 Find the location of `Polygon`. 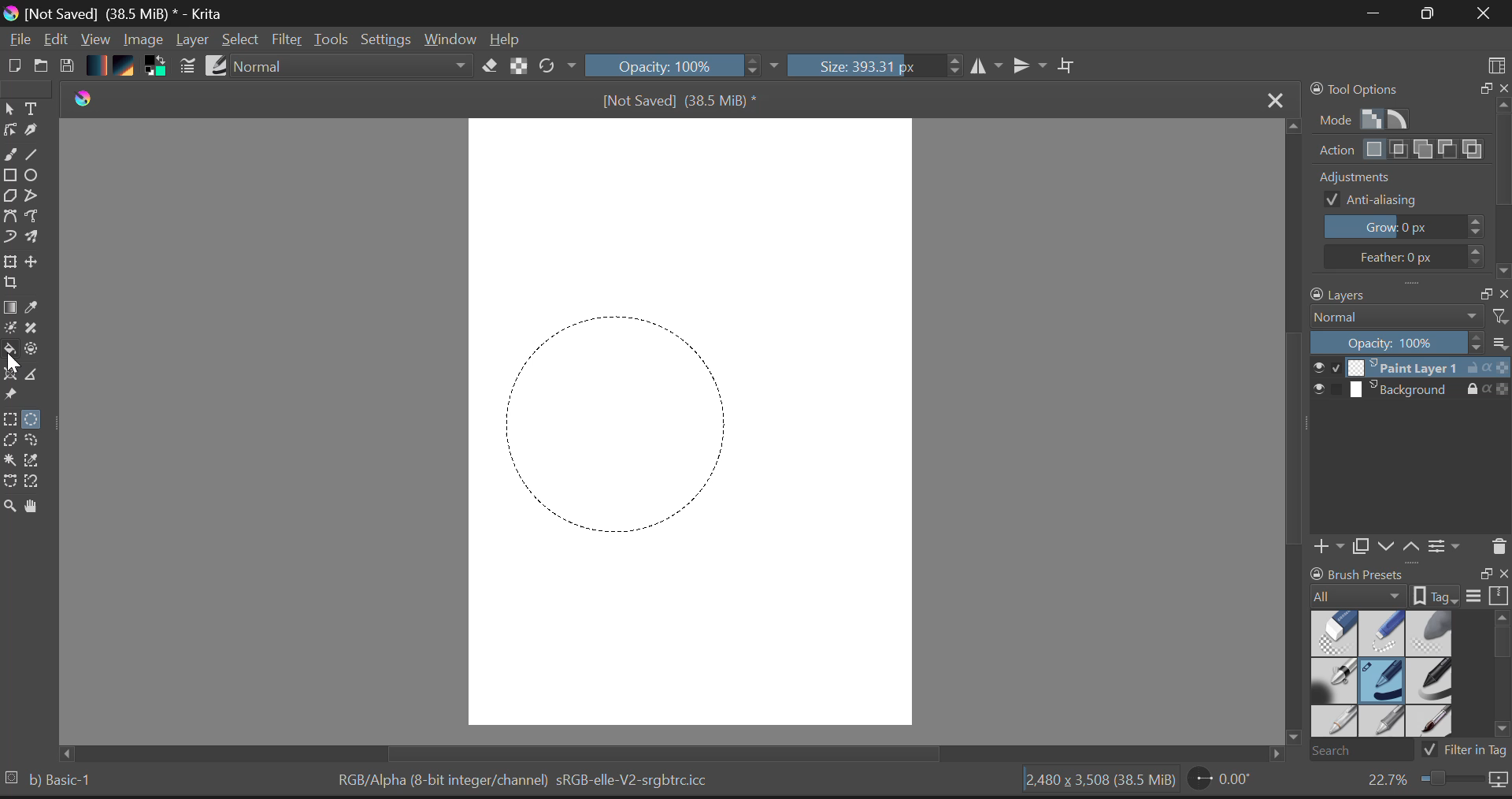

Polygon is located at coordinates (11, 199).